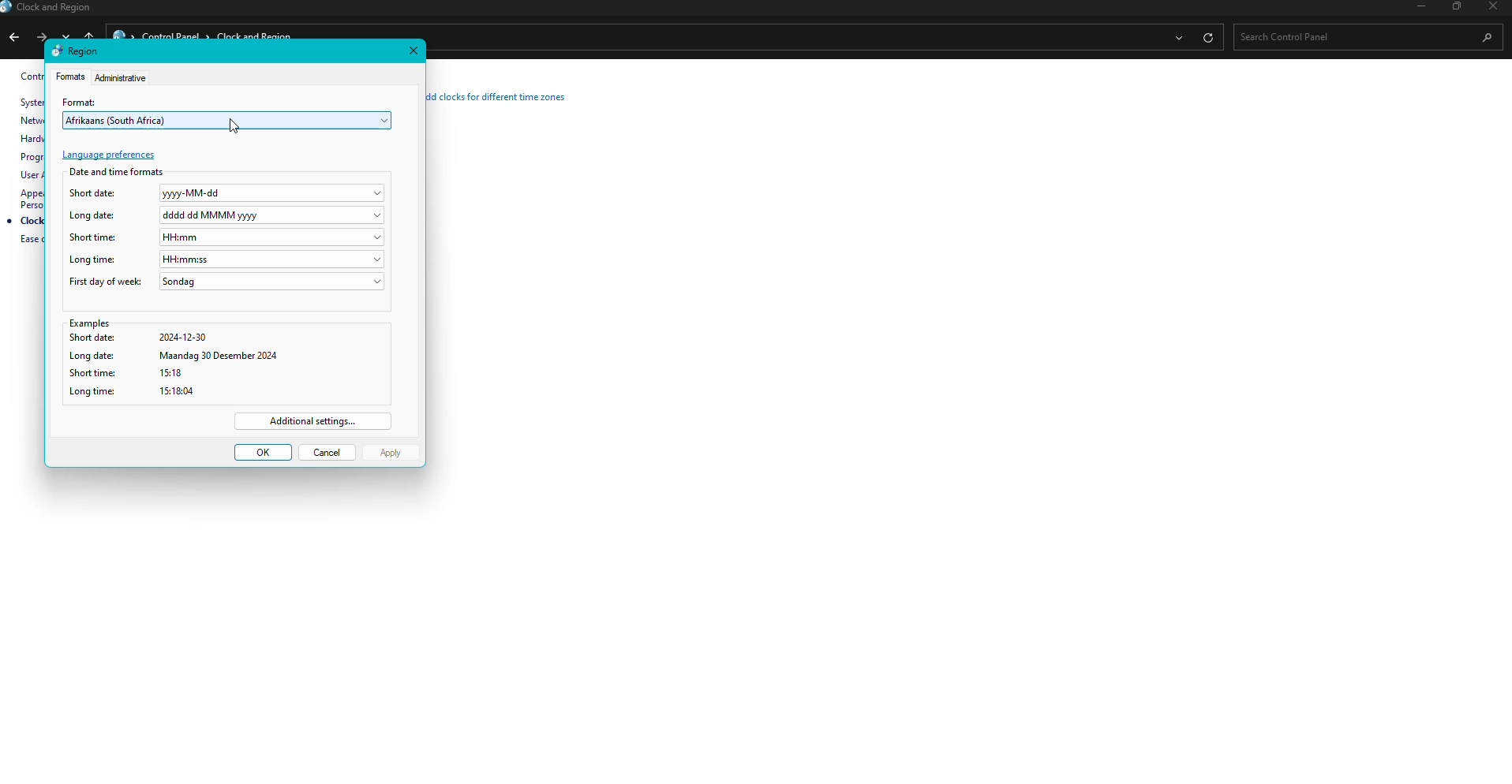 The width and height of the screenshot is (1512, 784). What do you see at coordinates (414, 50) in the screenshot?
I see `Close` at bounding box center [414, 50].